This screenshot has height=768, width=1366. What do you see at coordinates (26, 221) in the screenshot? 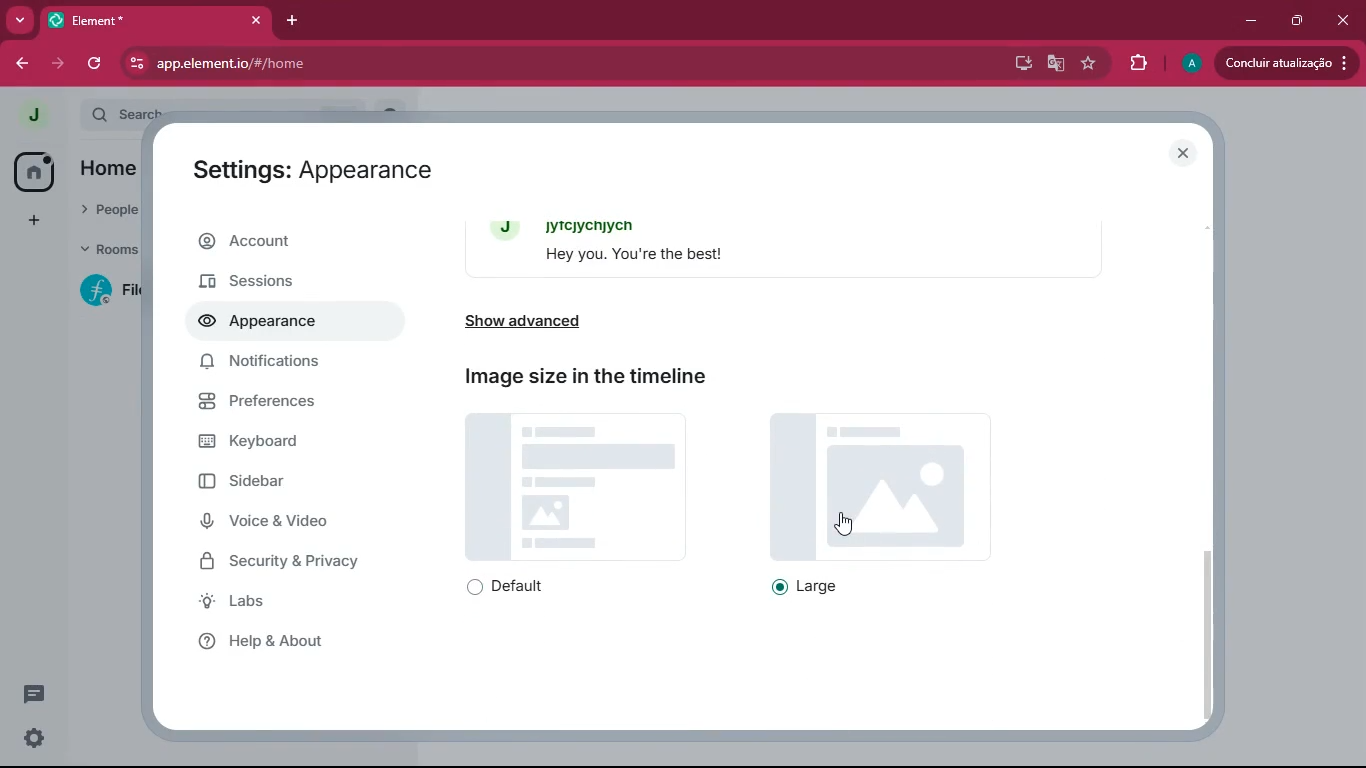
I see `add` at bounding box center [26, 221].